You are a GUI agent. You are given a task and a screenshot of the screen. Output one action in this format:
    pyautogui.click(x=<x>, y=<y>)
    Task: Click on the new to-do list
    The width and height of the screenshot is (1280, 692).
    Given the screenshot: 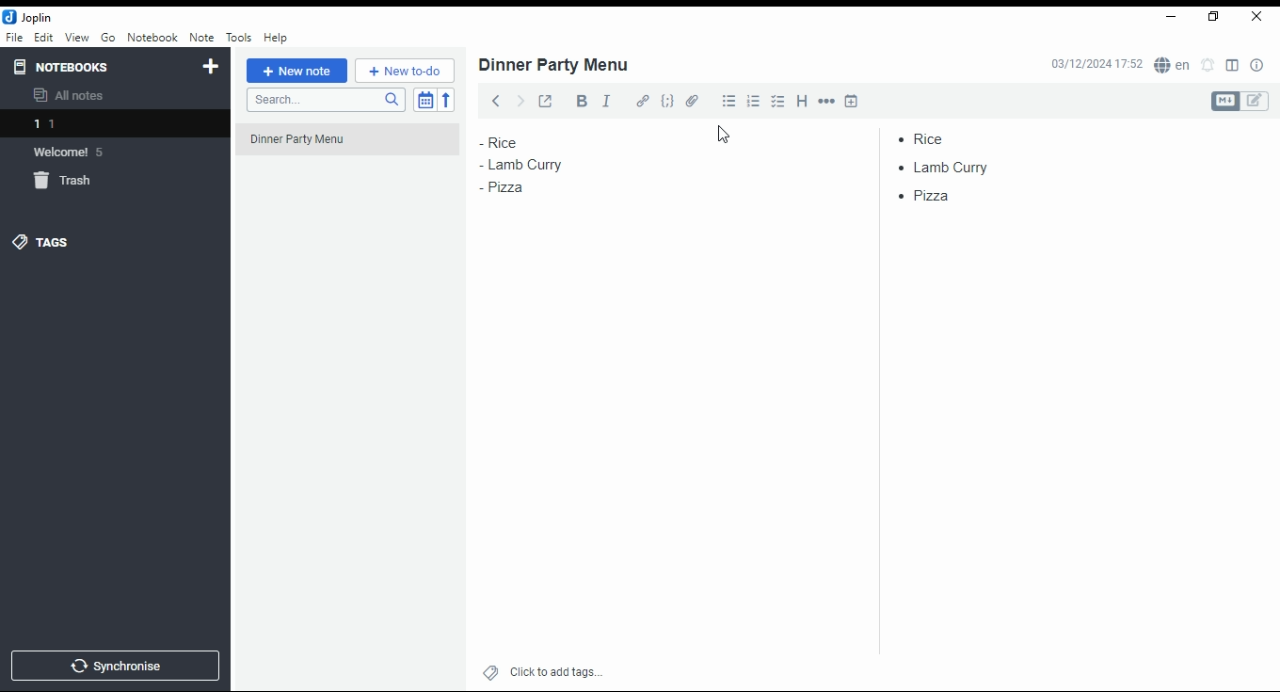 What is the action you would take?
    pyautogui.click(x=405, y=71)
    